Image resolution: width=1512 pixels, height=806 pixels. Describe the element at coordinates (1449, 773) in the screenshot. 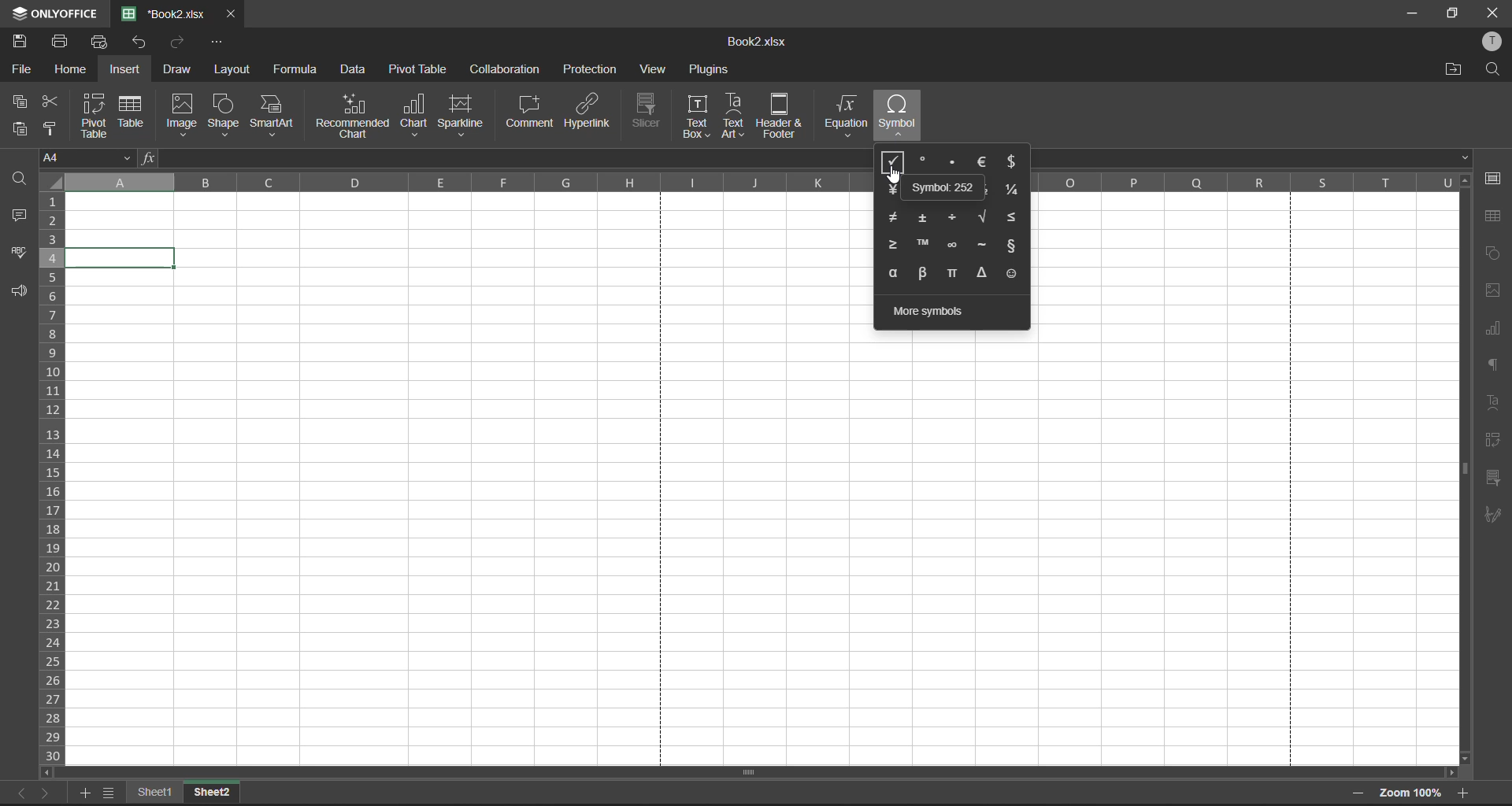

I see `scroll right` at that location.